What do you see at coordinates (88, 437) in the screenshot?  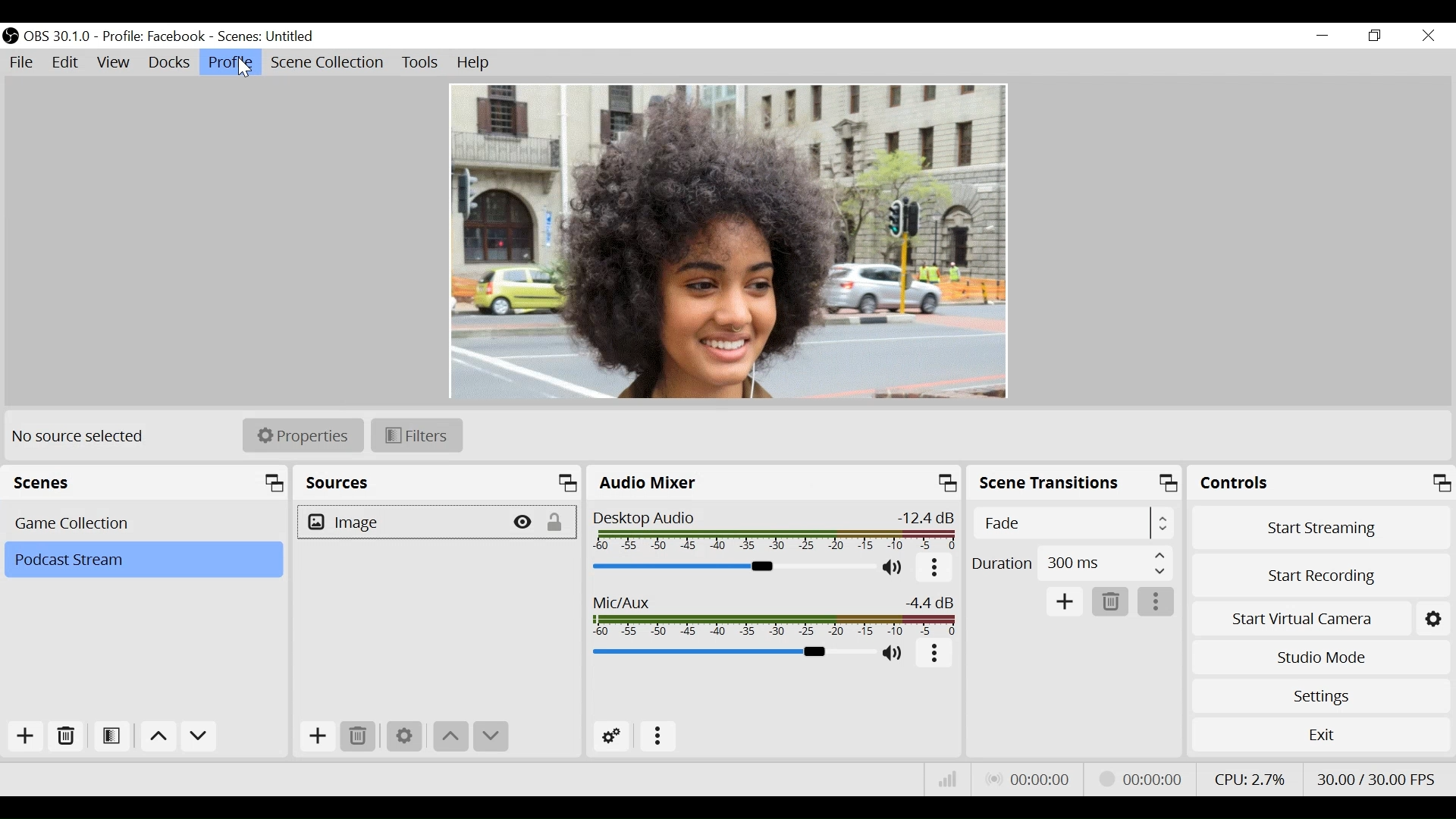 I see `No source selected` at bounding box center [88, 437].